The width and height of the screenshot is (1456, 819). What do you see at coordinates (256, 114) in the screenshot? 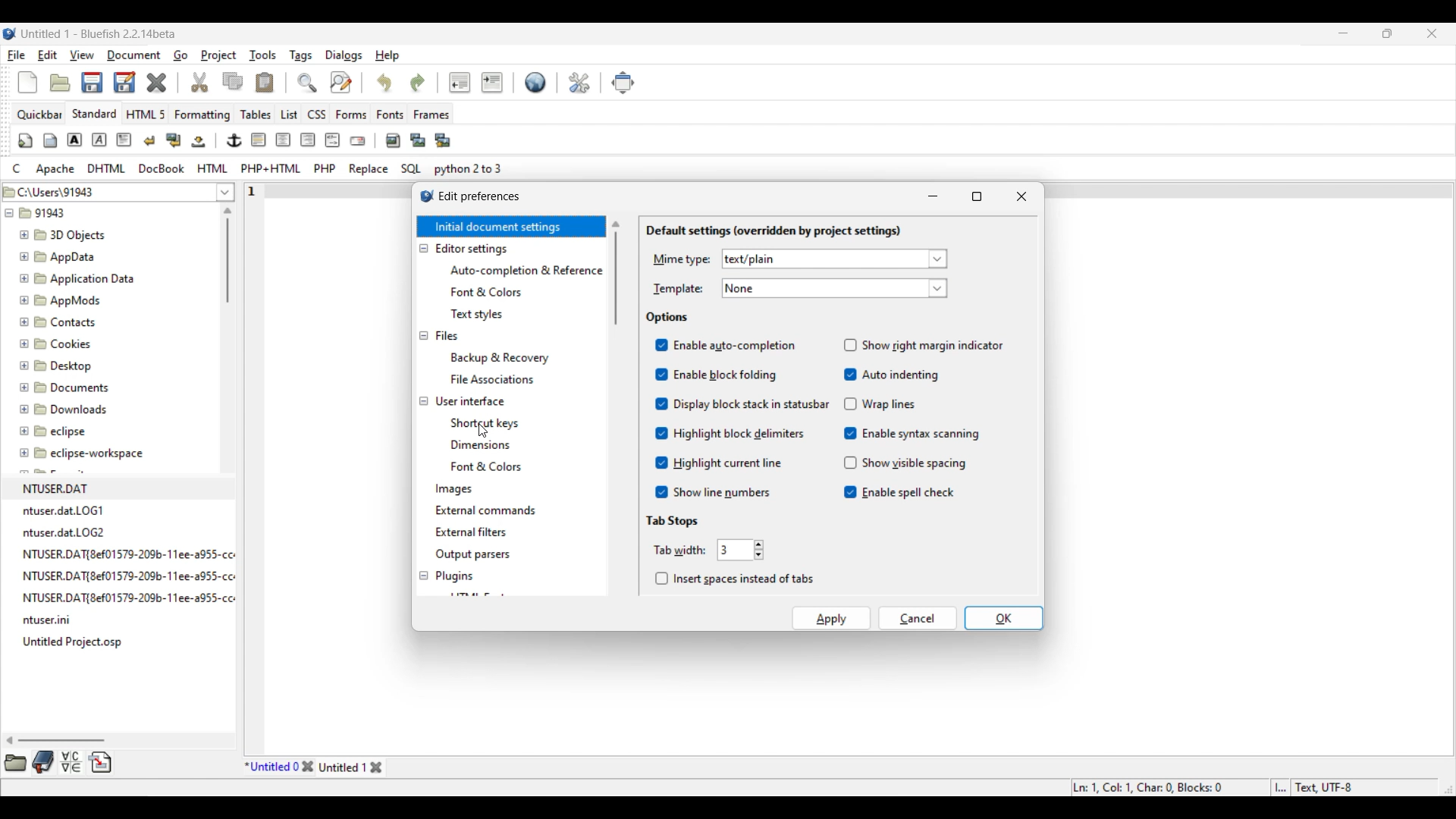
I see `Tables` at bounding box center [256, 114].